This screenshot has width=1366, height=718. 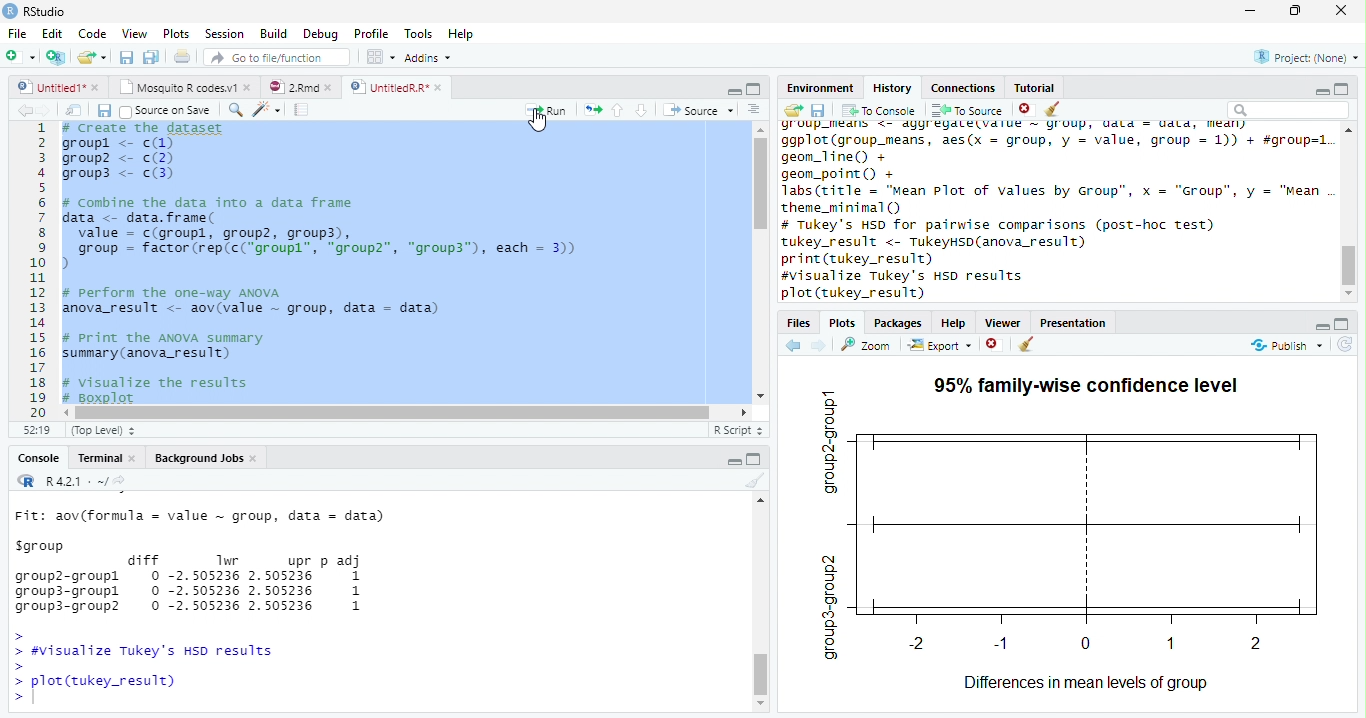 I want to click on Clear Console, so click(x=1024, y=345).